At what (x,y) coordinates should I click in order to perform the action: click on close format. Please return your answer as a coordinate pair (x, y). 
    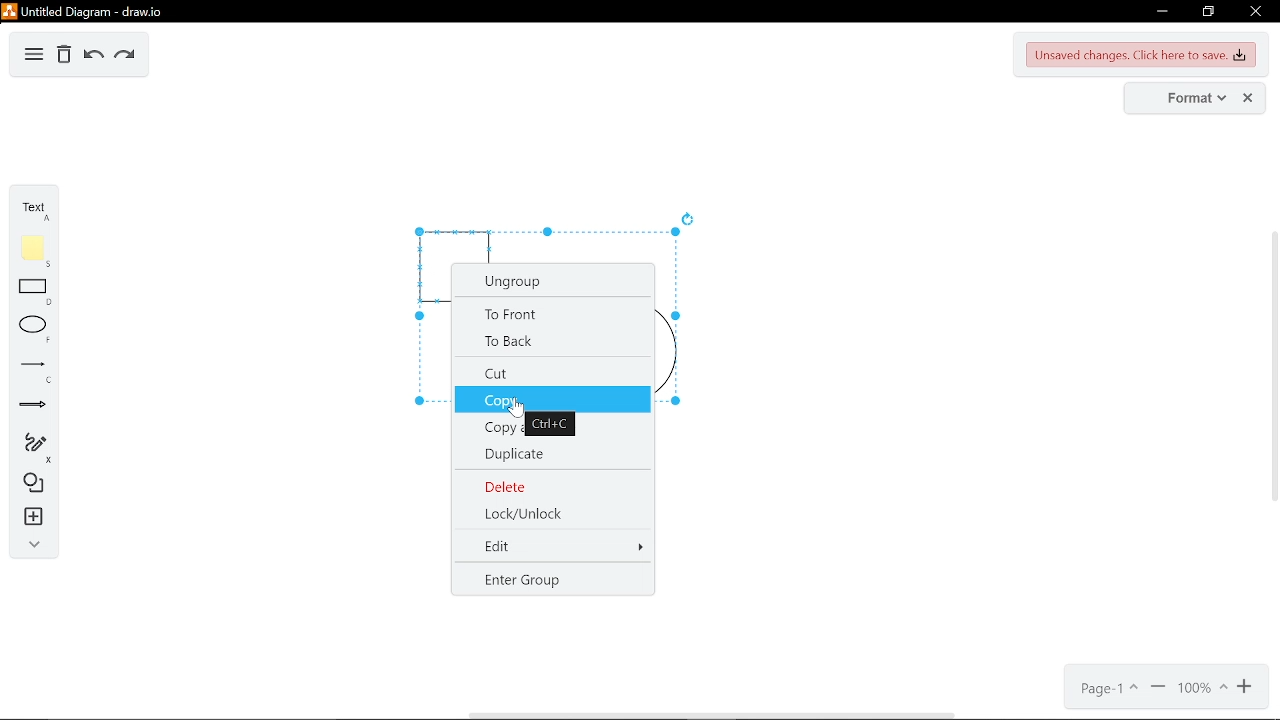
    Looking at the image, I should click on (1249, 98).